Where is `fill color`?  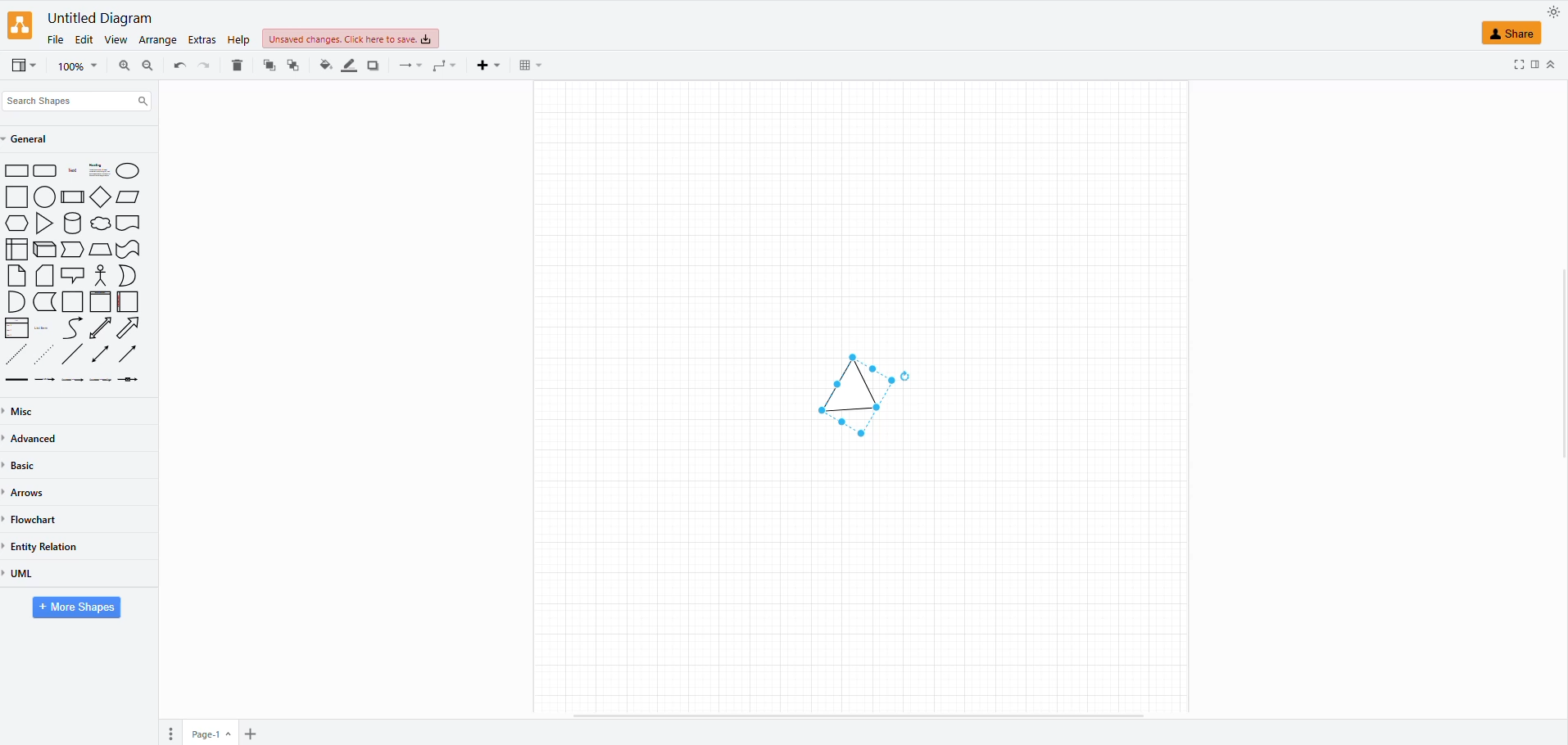
fill color is located at coordinates (324, 63).